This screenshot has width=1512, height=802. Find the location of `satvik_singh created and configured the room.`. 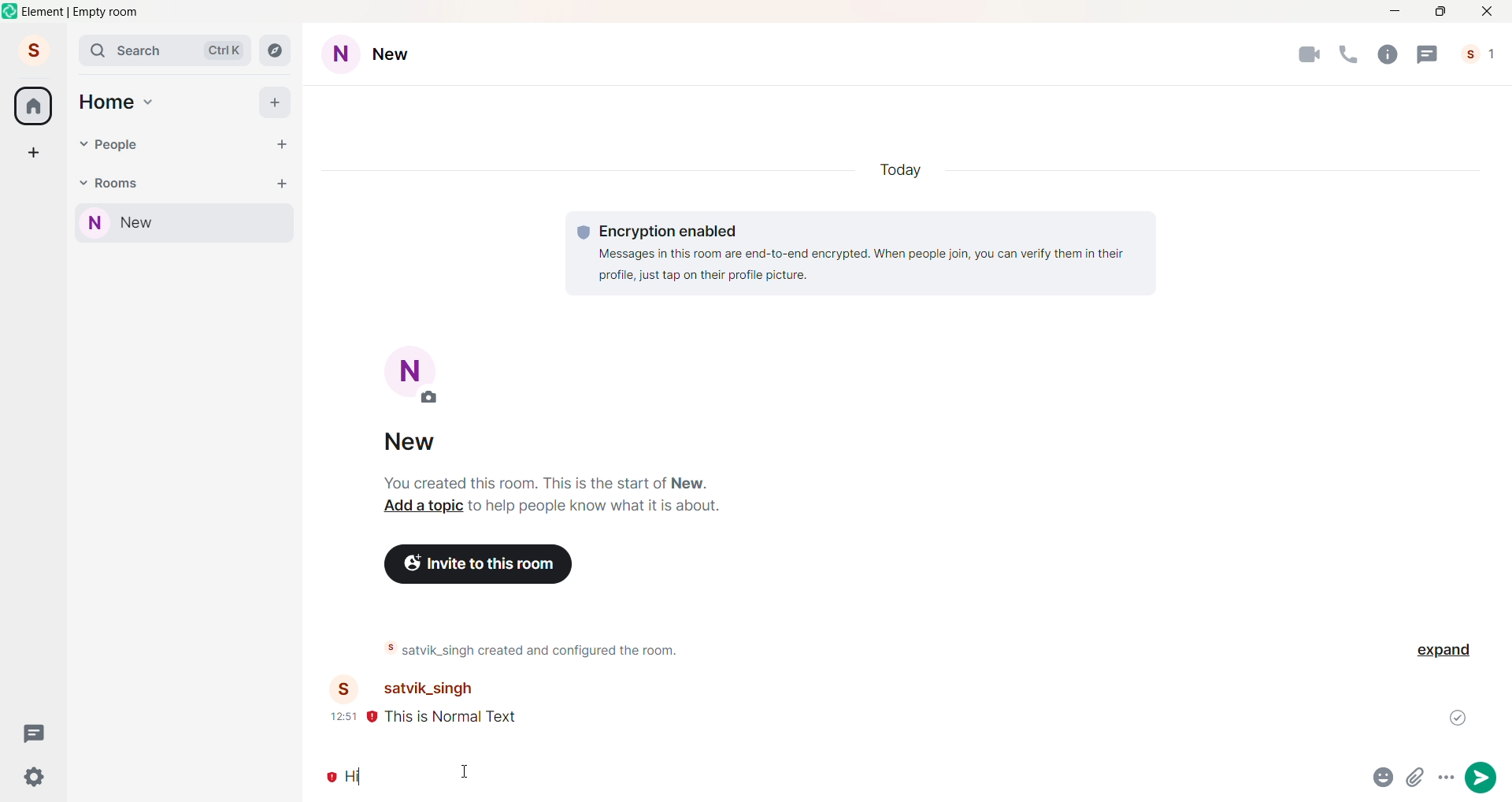

satvik_singh created and configured the room. is located at coordinates (558, 650).